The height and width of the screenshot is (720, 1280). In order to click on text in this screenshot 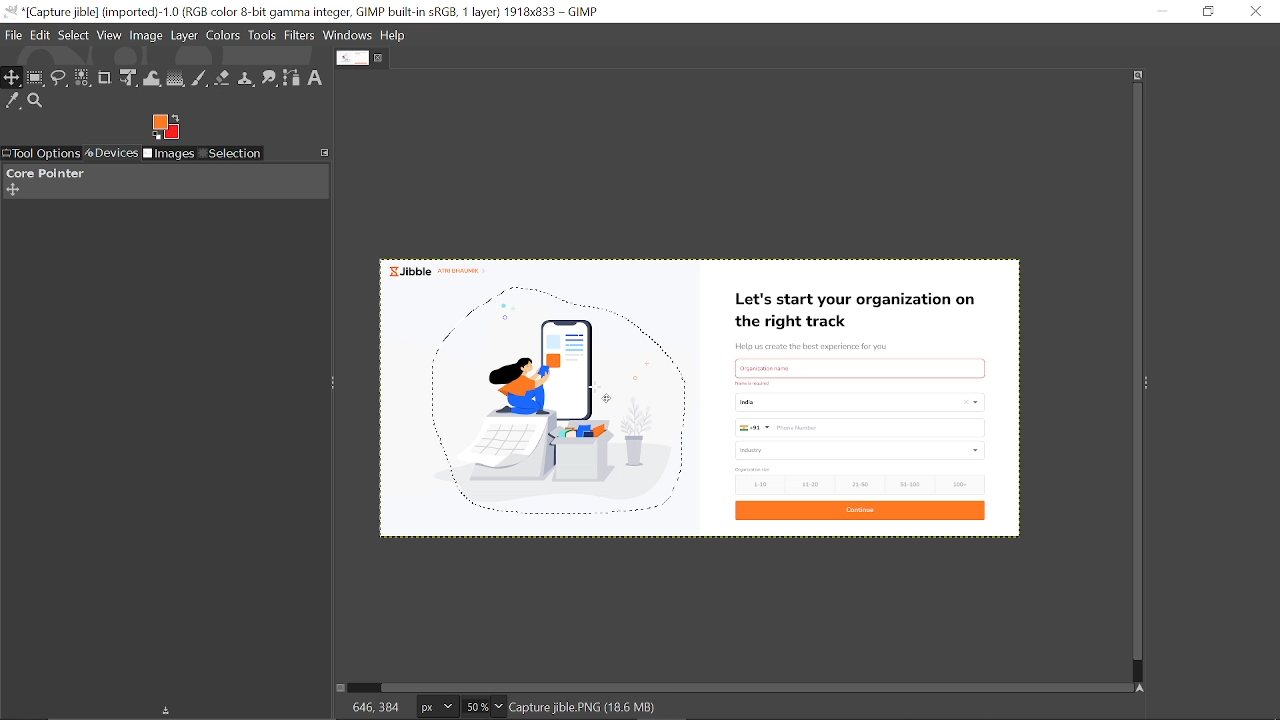, I will do `click(779, 367)`.